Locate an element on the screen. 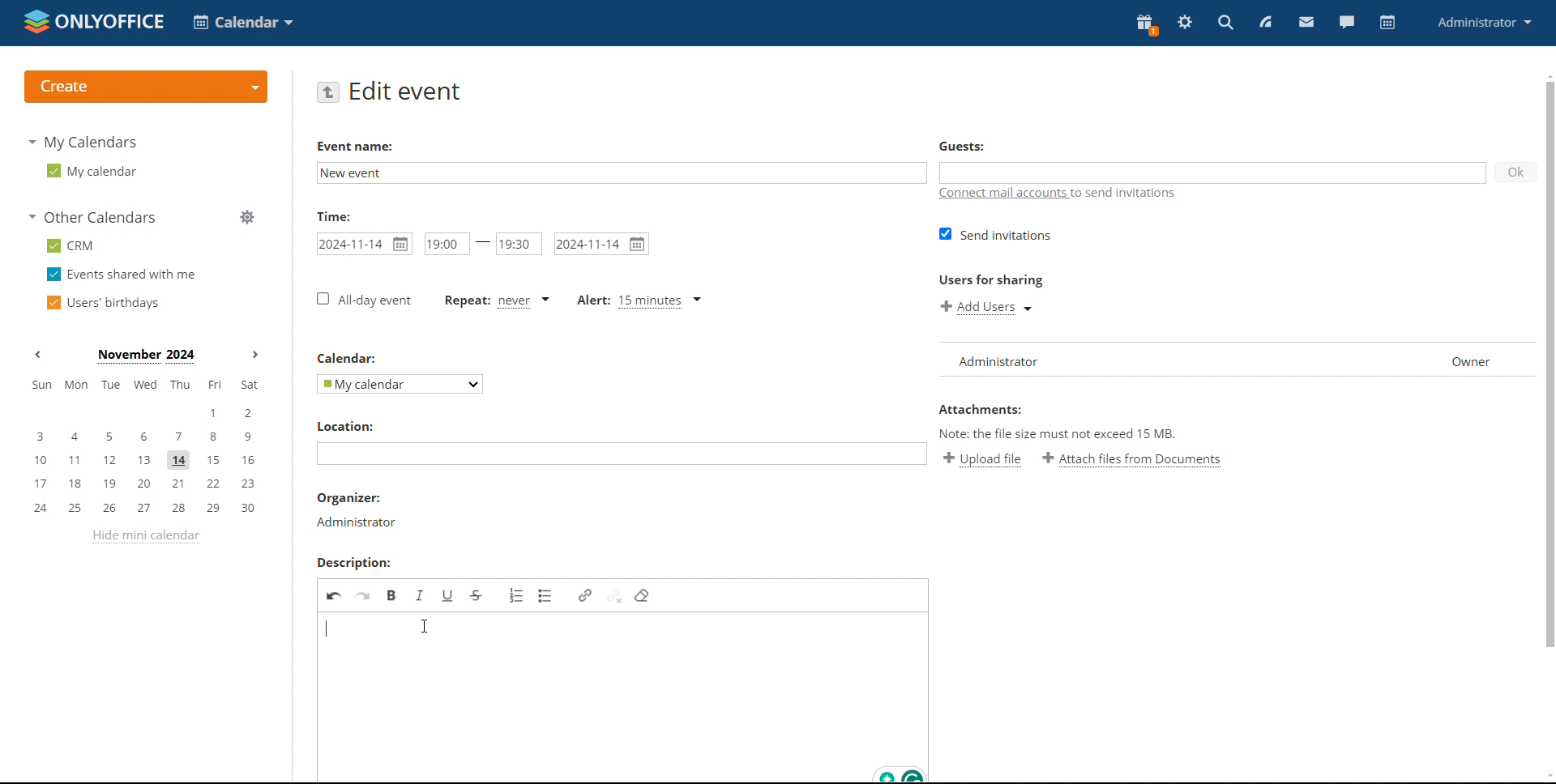  search is located at coordinates (1224, 23).